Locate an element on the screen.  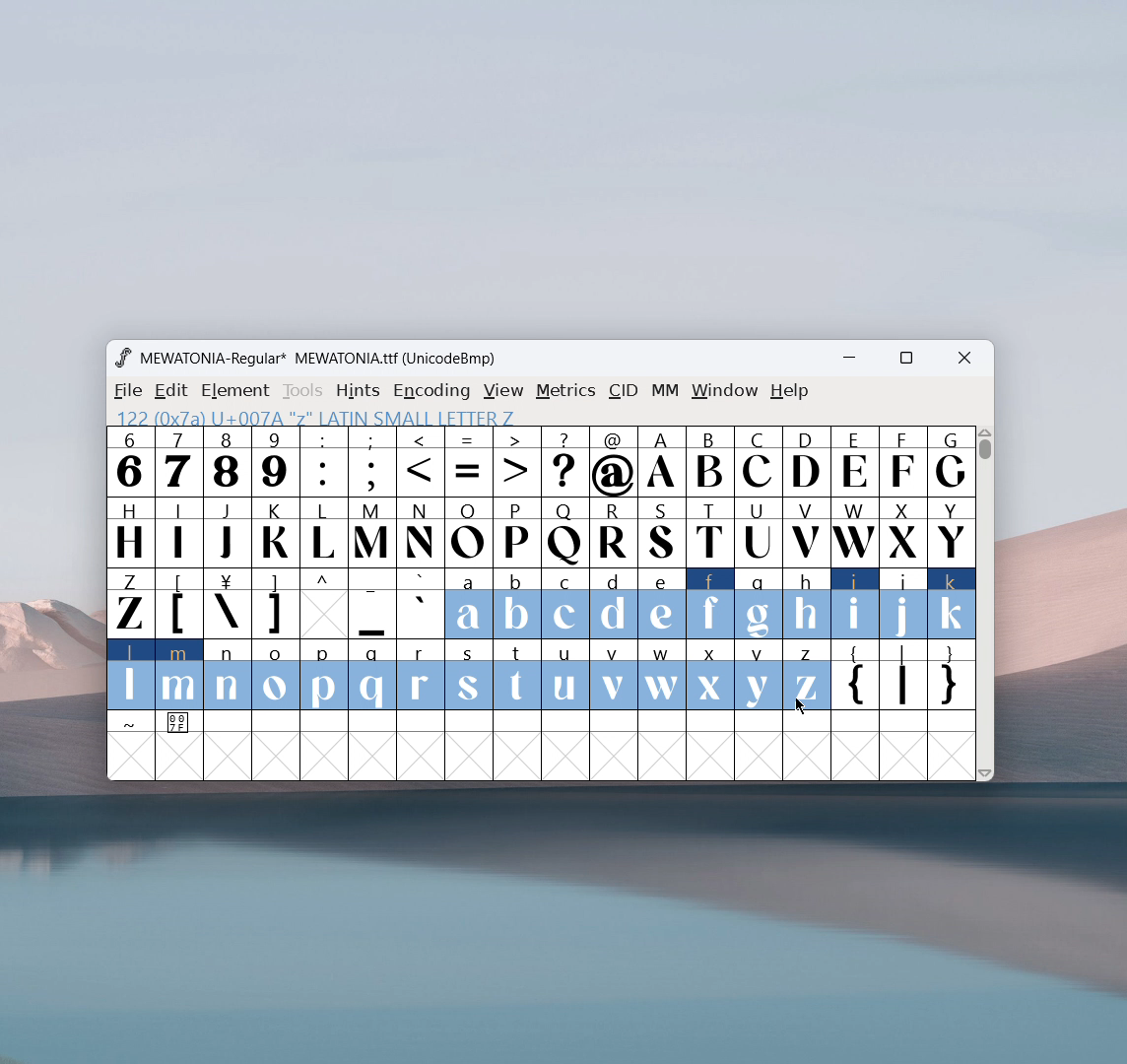
u is located at coordinates (564, 675).